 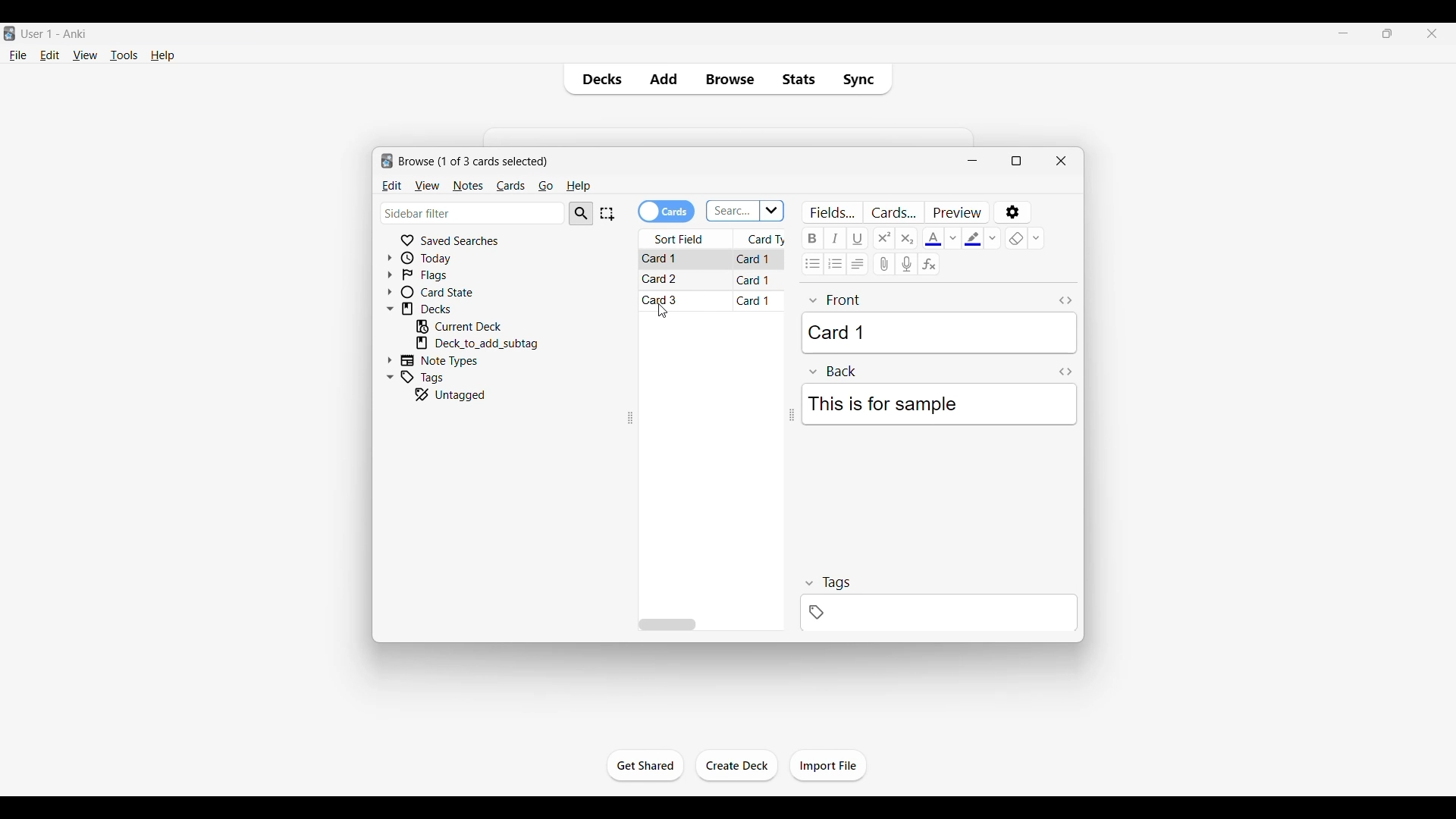 What do you see at coordinates (893, 212) in the screenshot?
I see `Customize card templates` at bounding box center [893, 212].